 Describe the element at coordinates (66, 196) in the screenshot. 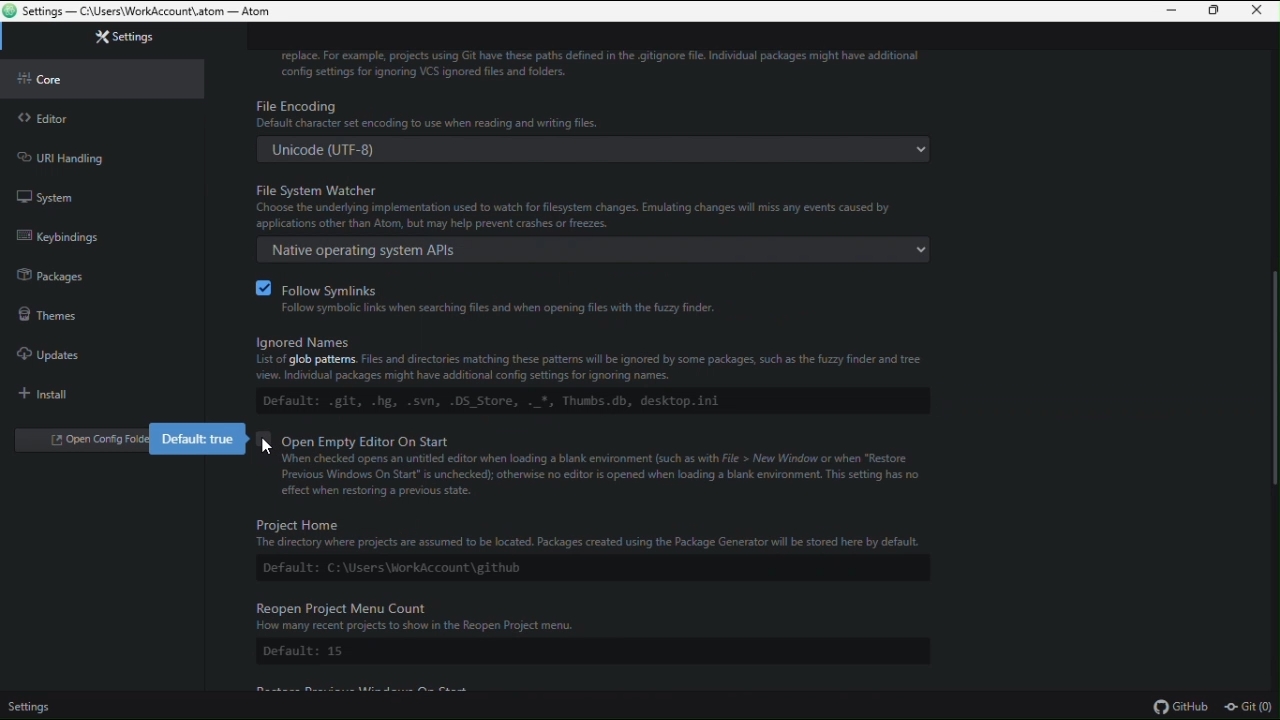

I see `system` at that location.